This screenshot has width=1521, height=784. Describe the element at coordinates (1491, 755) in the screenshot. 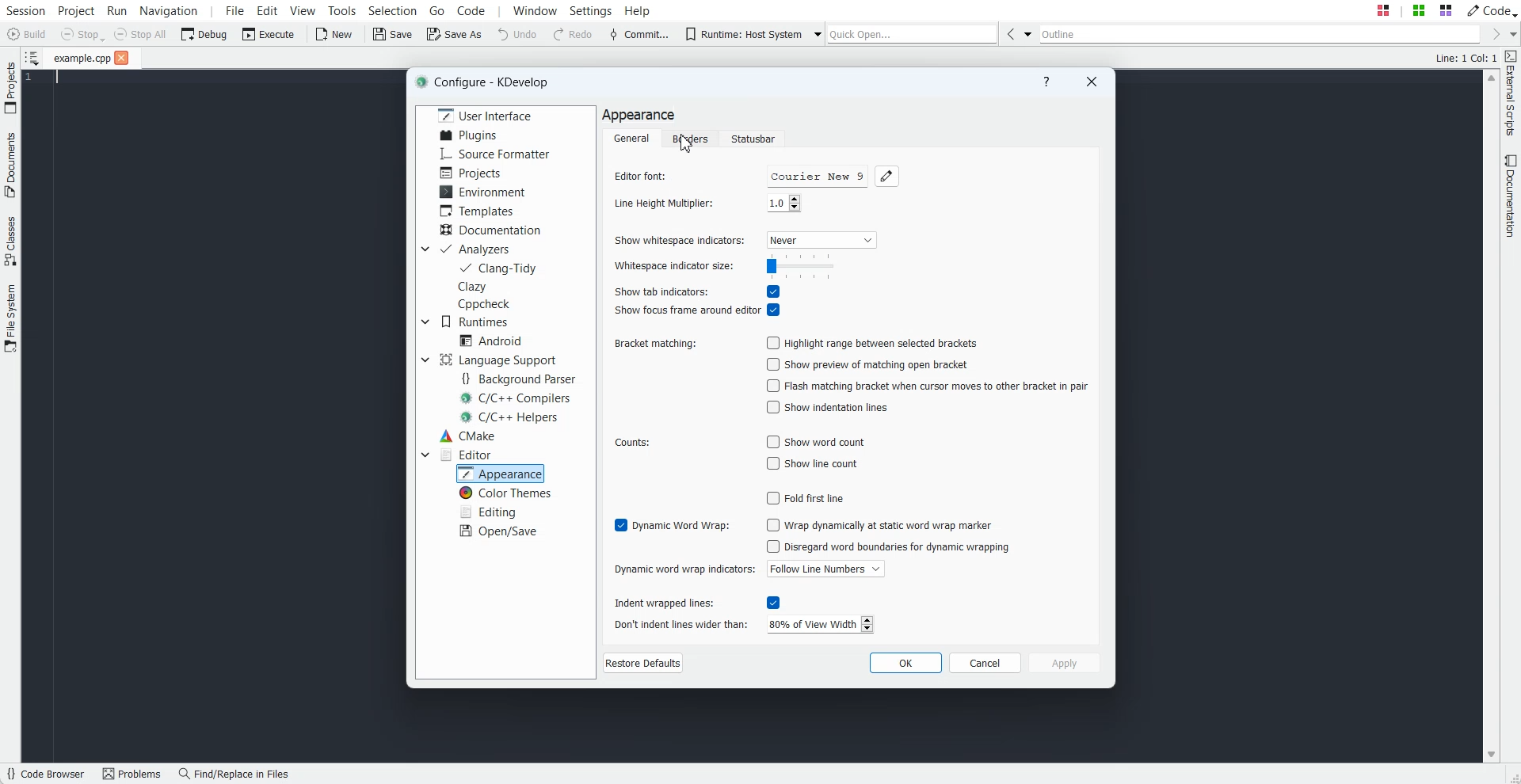

I see `Scroll down` at that location.